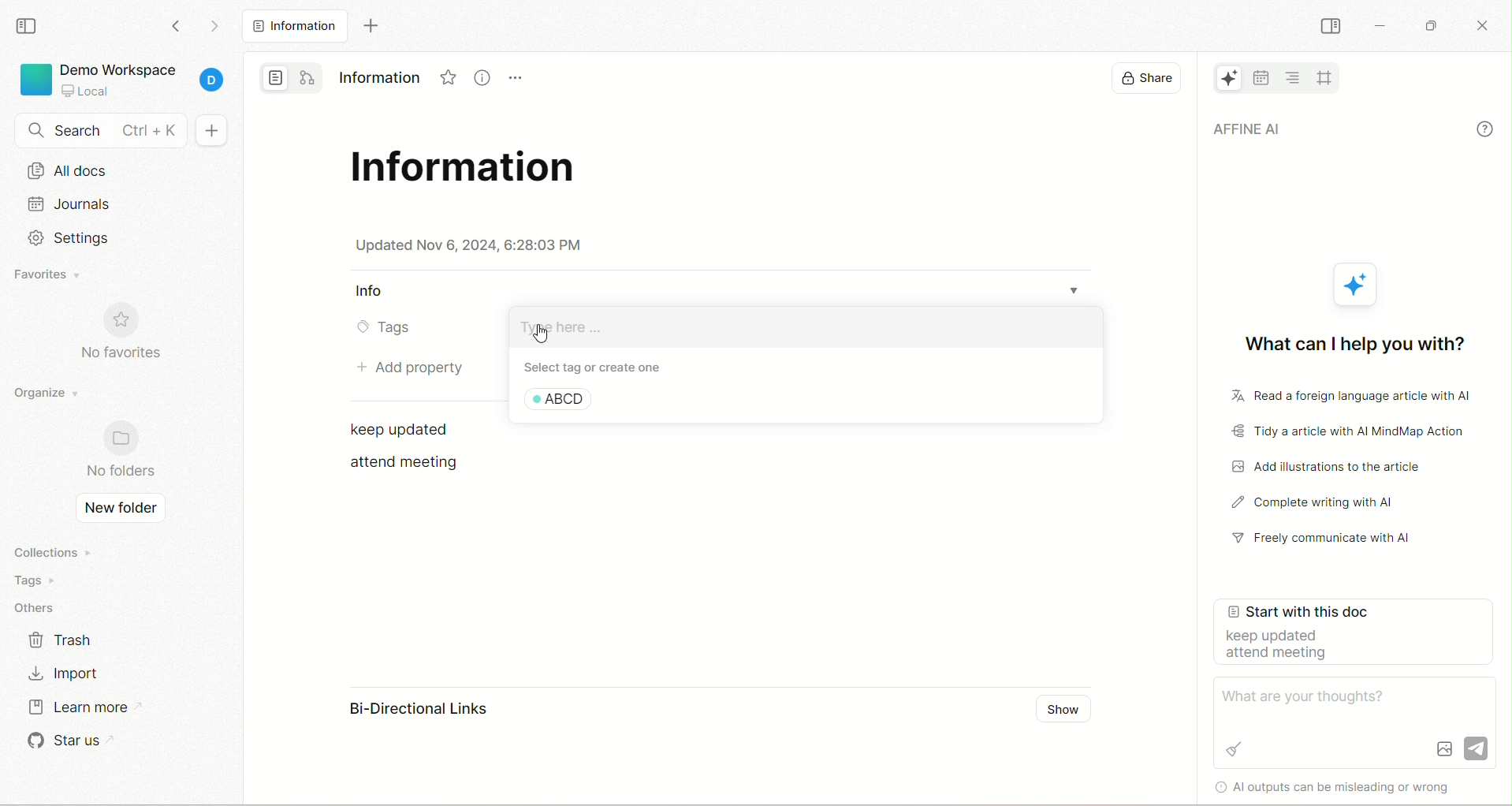  Describe the element at coordinates (1357, 638) in the screenshot. I see `start with this doc` at that location.